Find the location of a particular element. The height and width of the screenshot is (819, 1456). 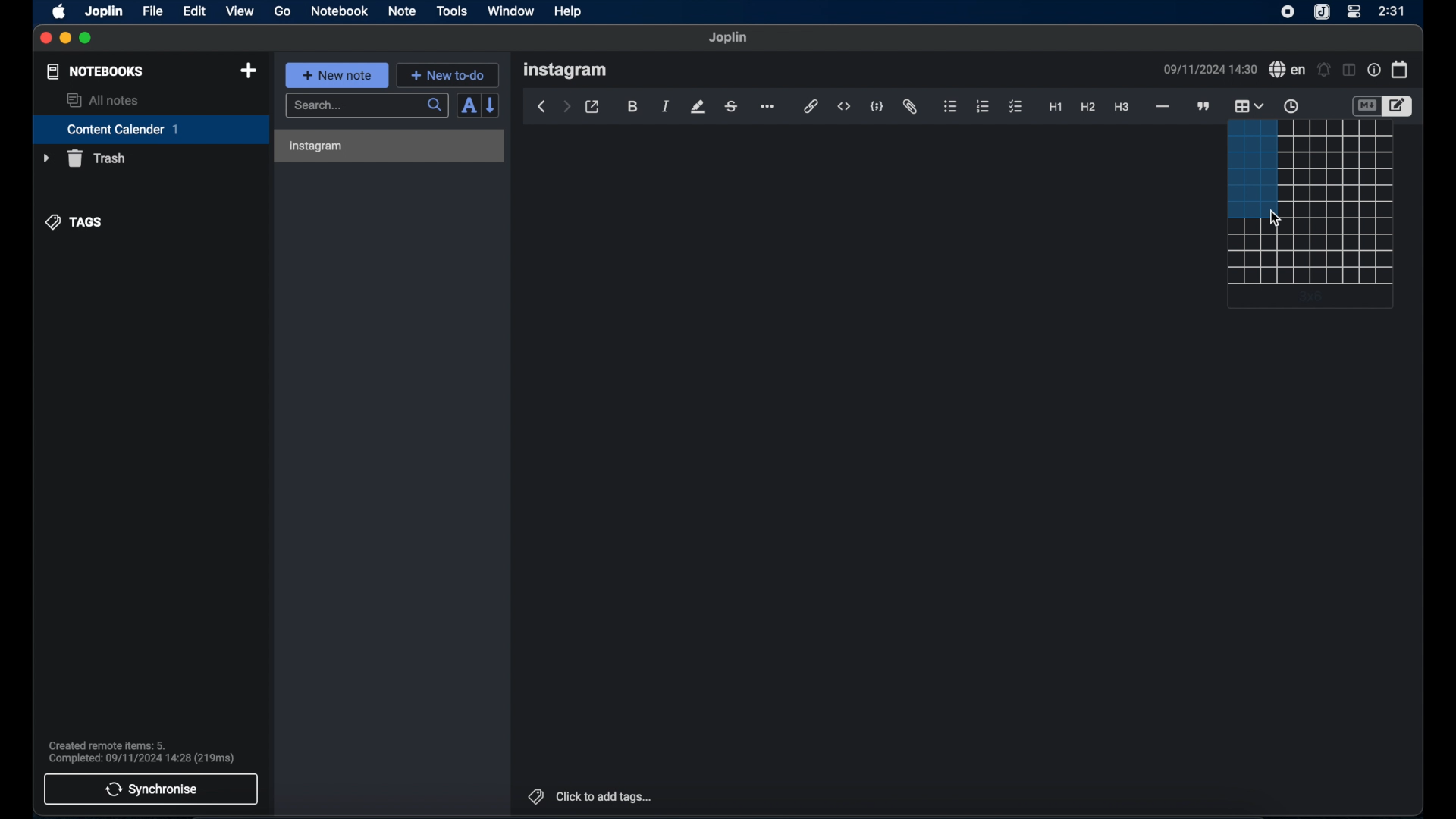

toggle editor layout is located at coordinates (1349, 71).